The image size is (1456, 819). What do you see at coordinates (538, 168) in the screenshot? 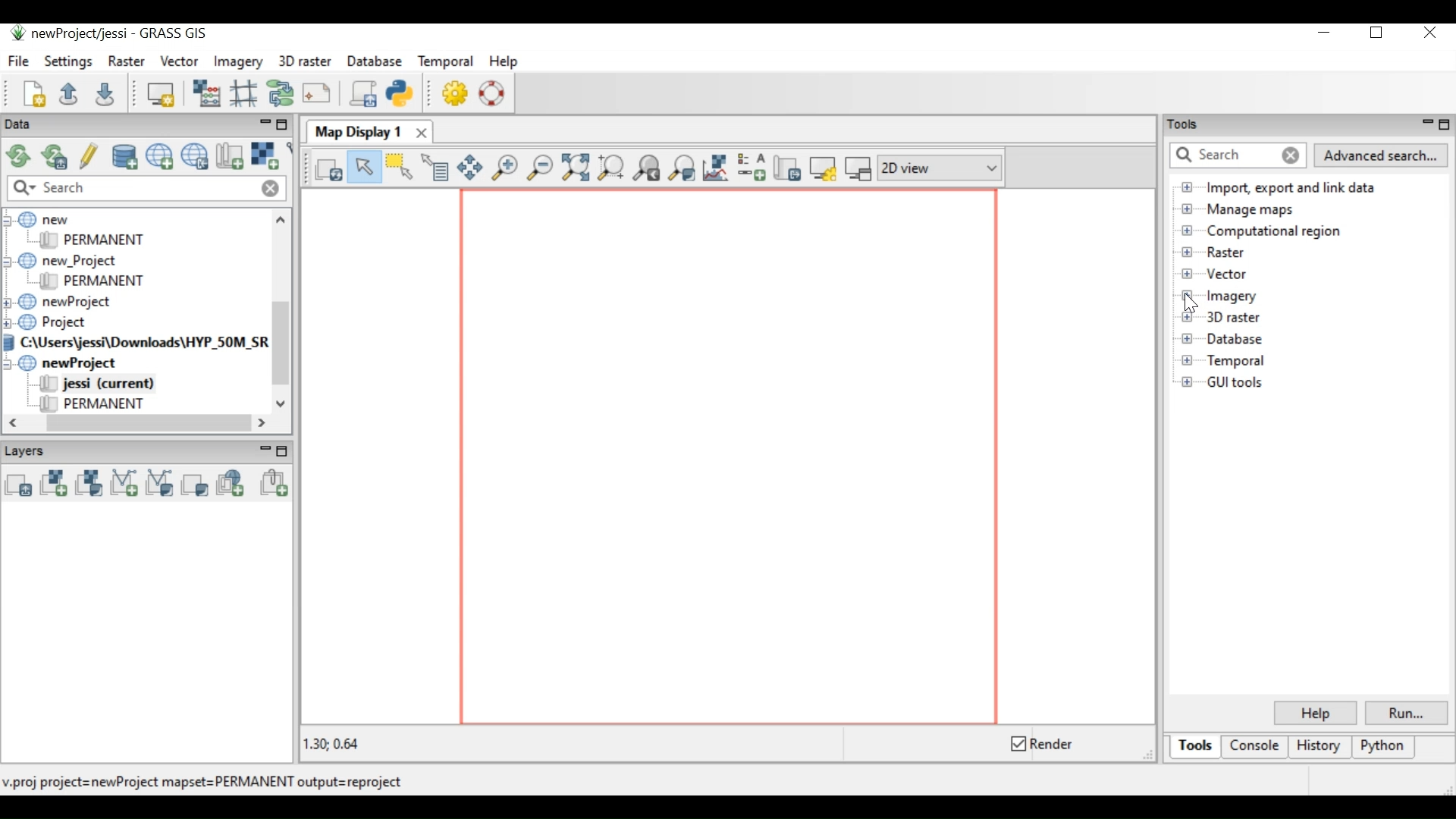
I see `Zoom out` at bounding box center [538, 168].